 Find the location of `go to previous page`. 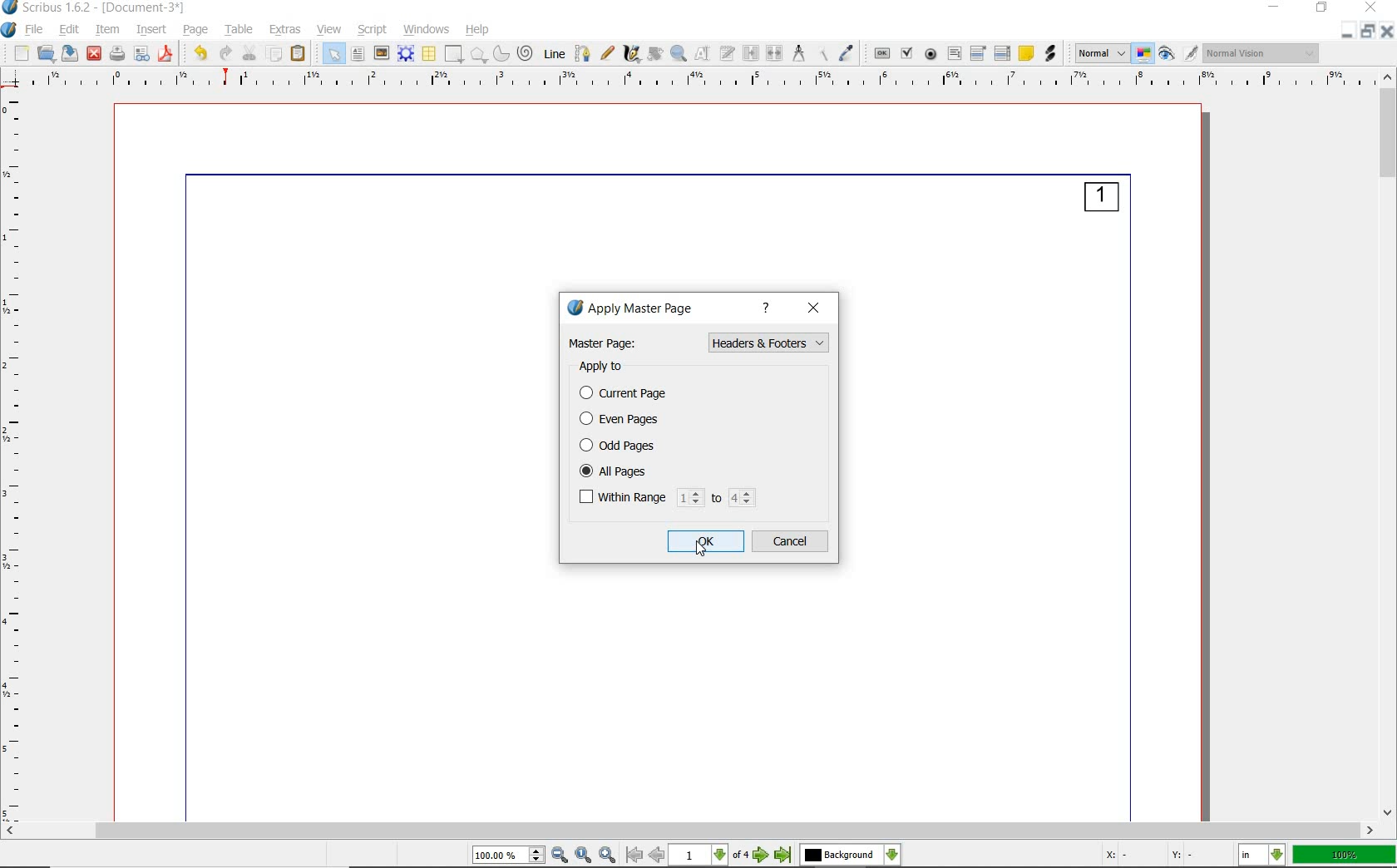

go to previous page is located at coordinates (658, 856).